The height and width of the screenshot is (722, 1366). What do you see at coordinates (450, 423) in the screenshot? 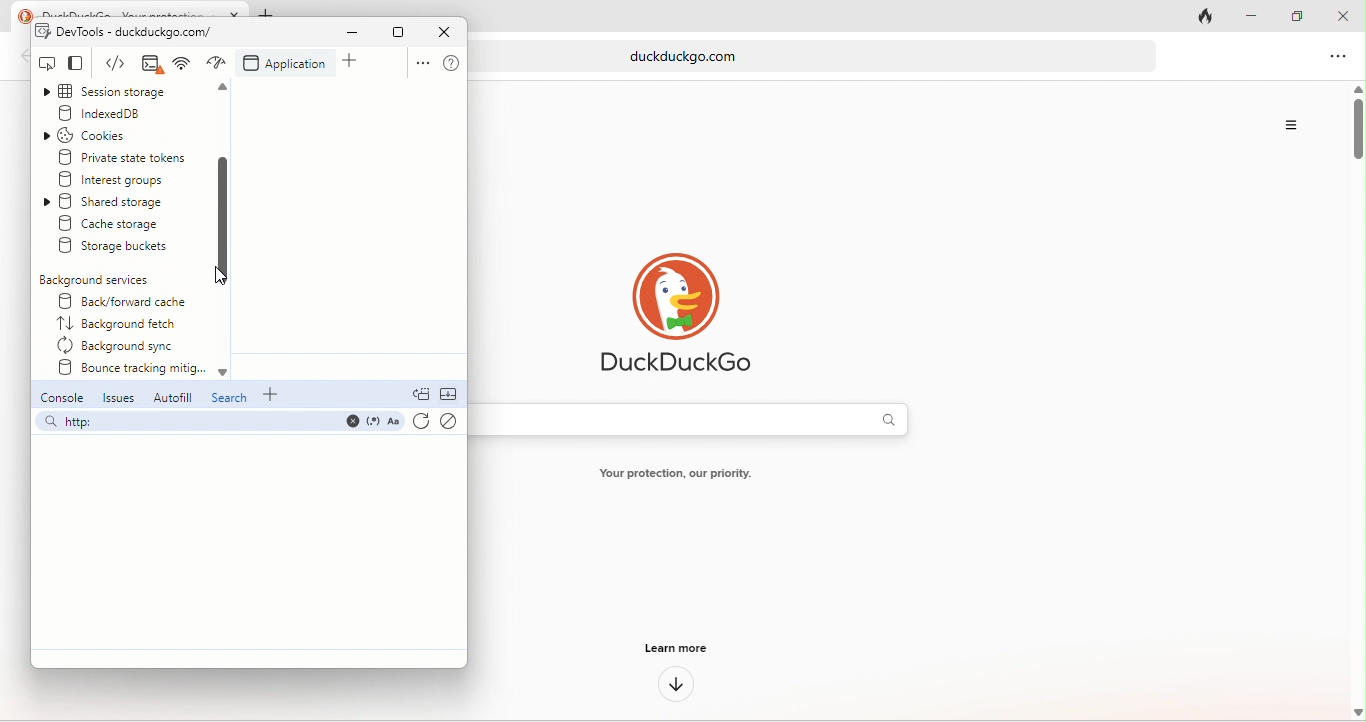
I see `clear` at bounding box center [450, 423].